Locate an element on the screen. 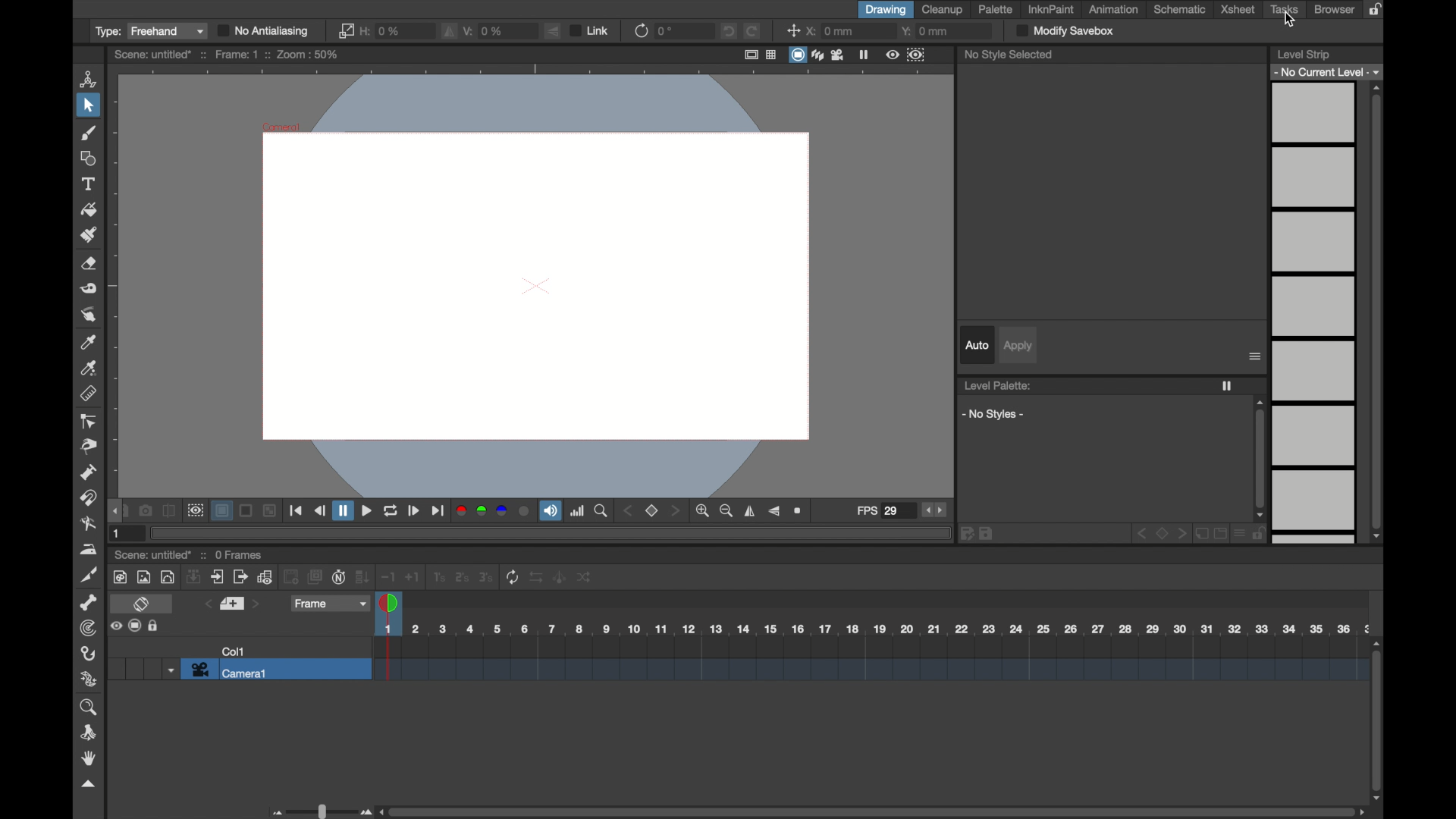 This screenshot has width=1456, height=819. skeleton tool is located at coordinates (89, 604).